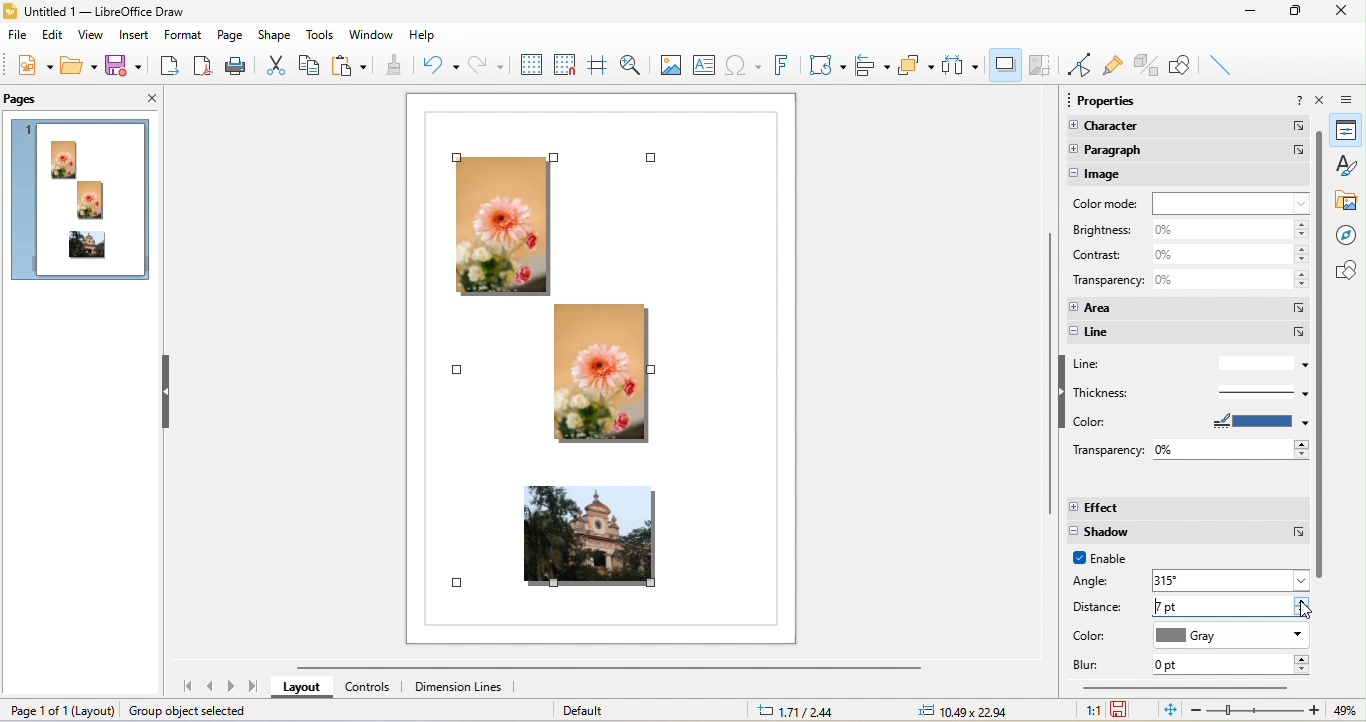 The height and width of the screenshot is (722, 1366). What do you see at coordinates (1311, 614) in the screenshot?
I see `cursor movement` at bounding box center [1311, 614].